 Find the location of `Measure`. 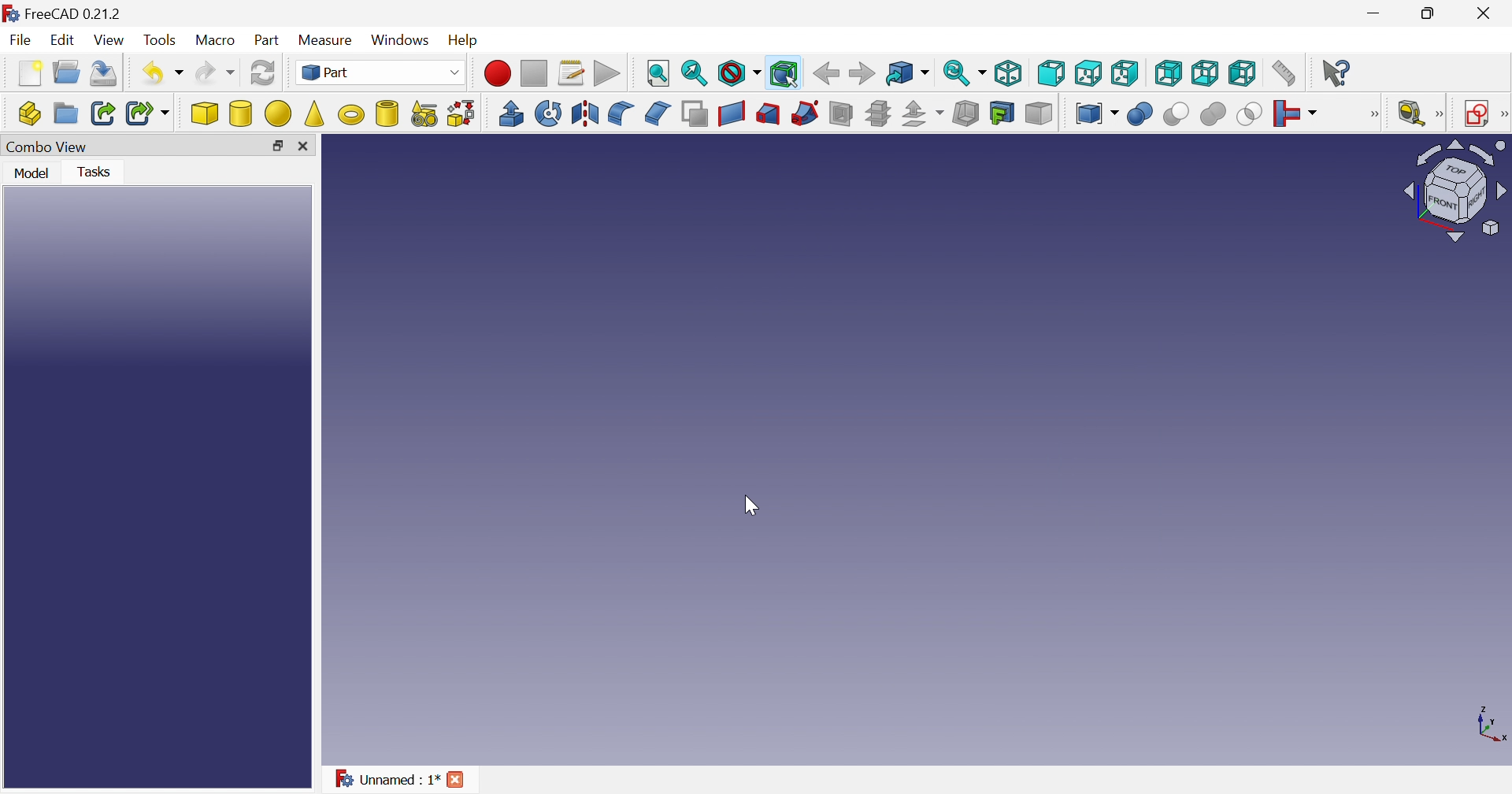

Measure is located at coordinates (1440, 114).